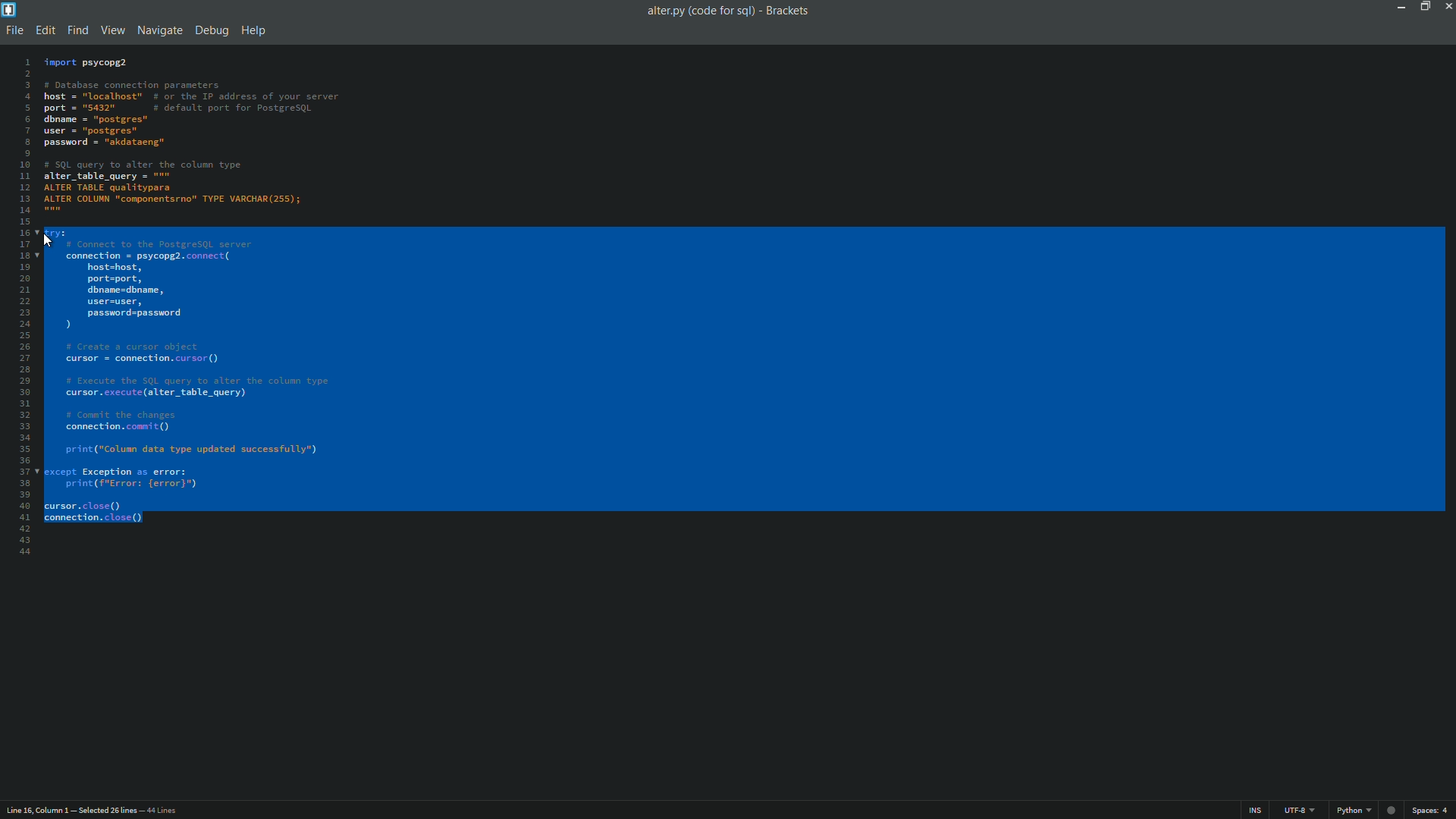 The height and width of the screenshot is (819, 1456). What do you see at coordinates (1254, 812) in the screenshot?
I see `ins` at bounding box center [1254, 812].